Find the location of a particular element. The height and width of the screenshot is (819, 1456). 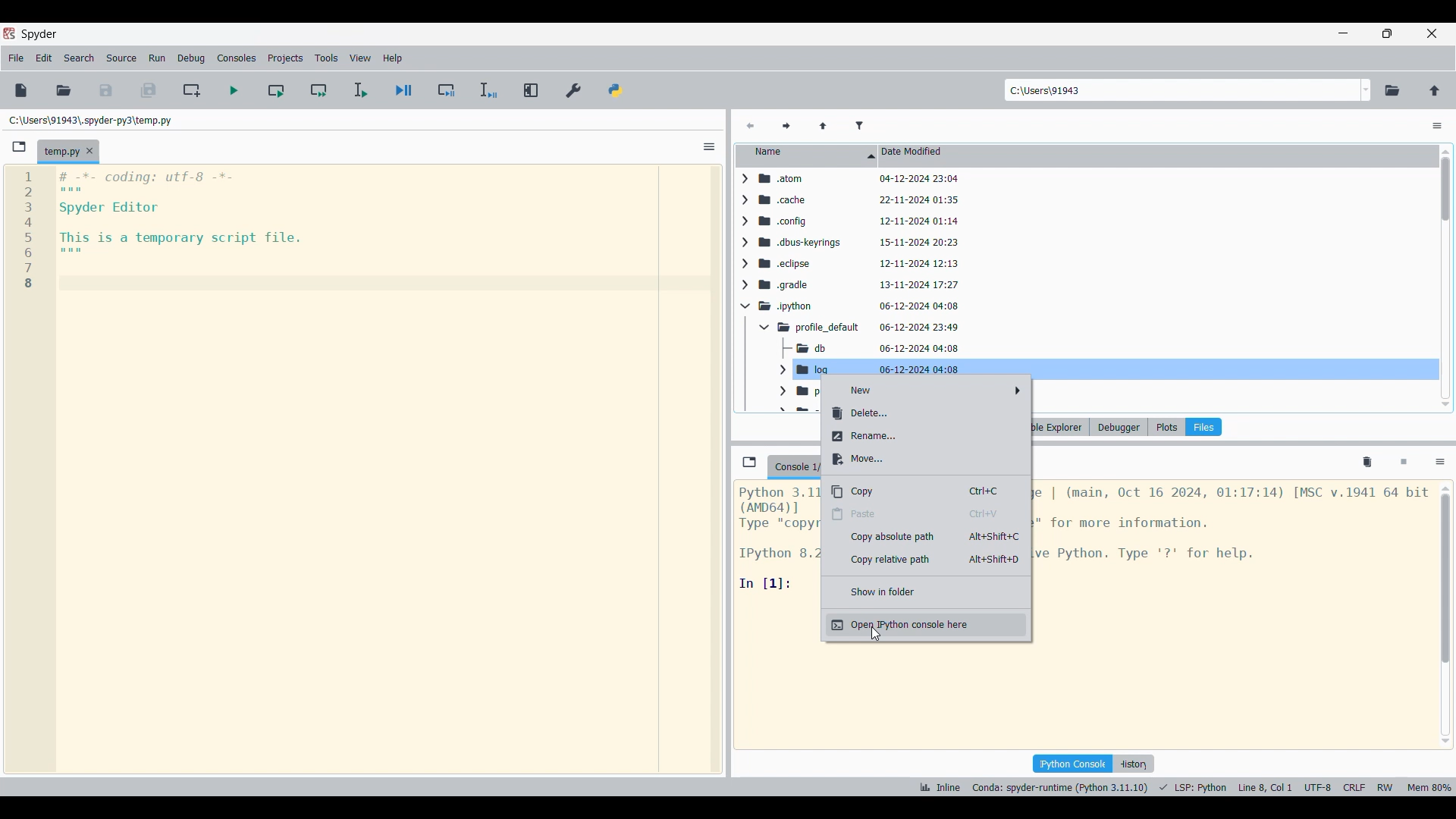

Maximize current pane is located at coordinates (532, 90).